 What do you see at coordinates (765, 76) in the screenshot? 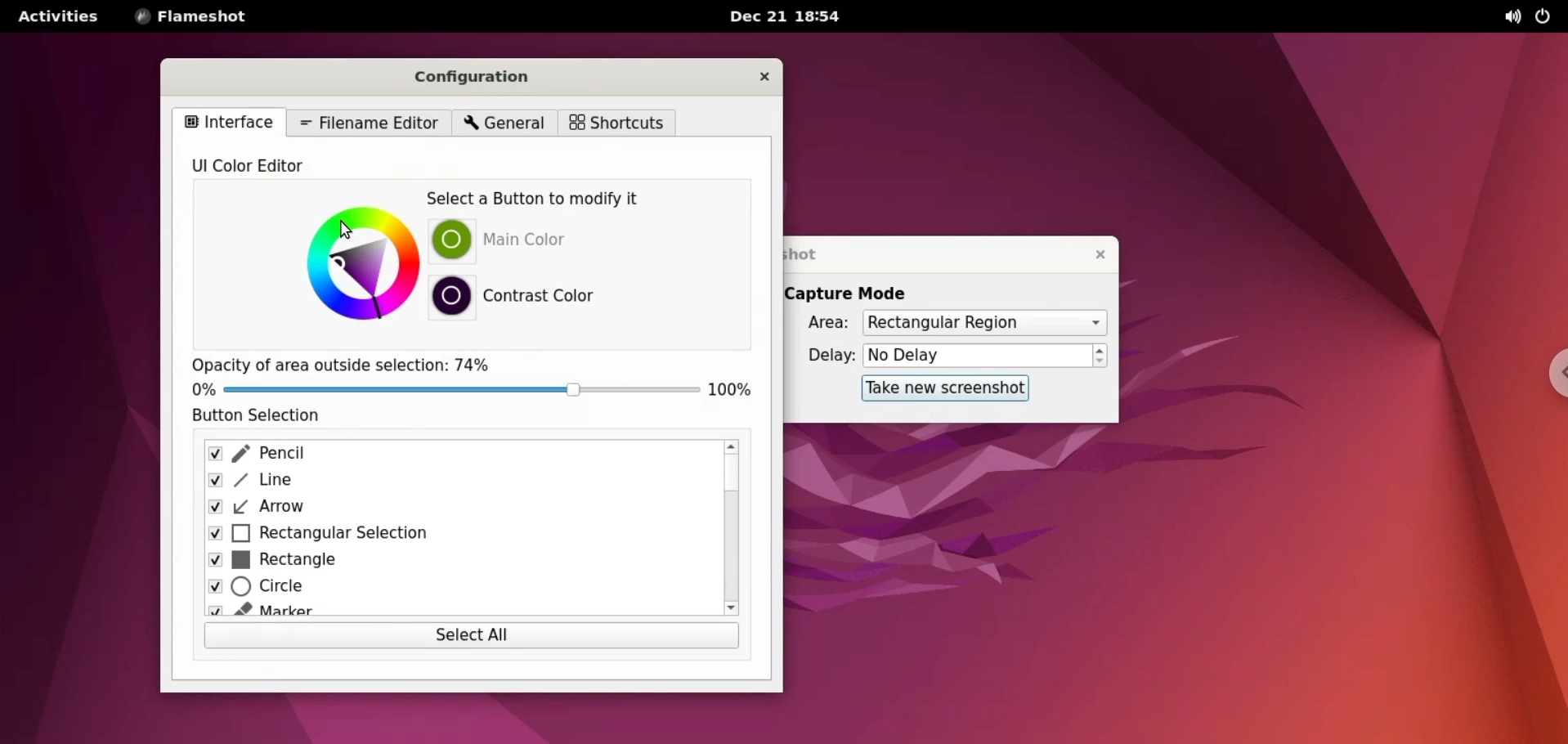
I see `close` at bounding box center [765, 76].